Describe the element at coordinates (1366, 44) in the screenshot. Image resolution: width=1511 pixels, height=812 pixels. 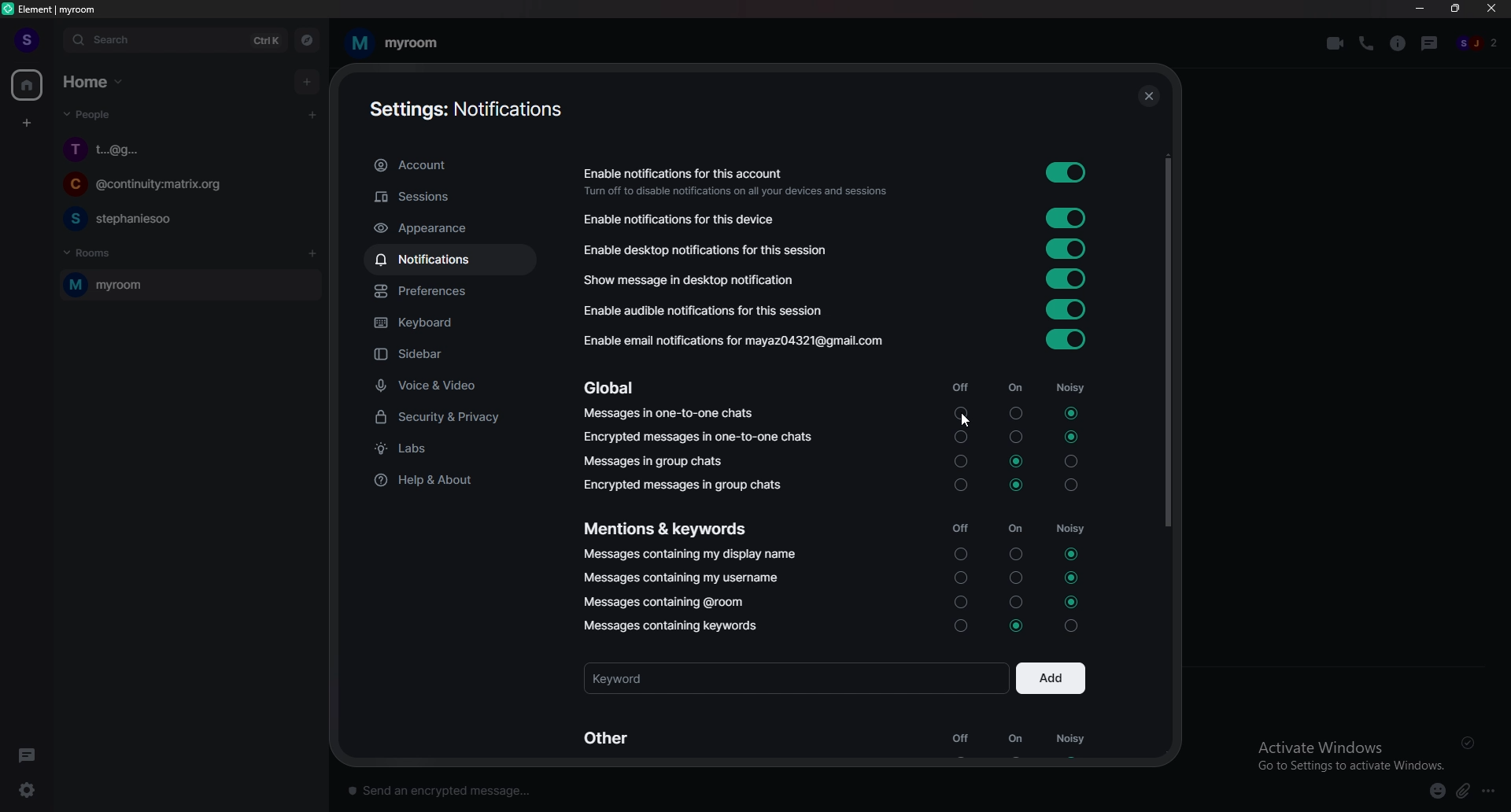
I see `voice call` at that location.